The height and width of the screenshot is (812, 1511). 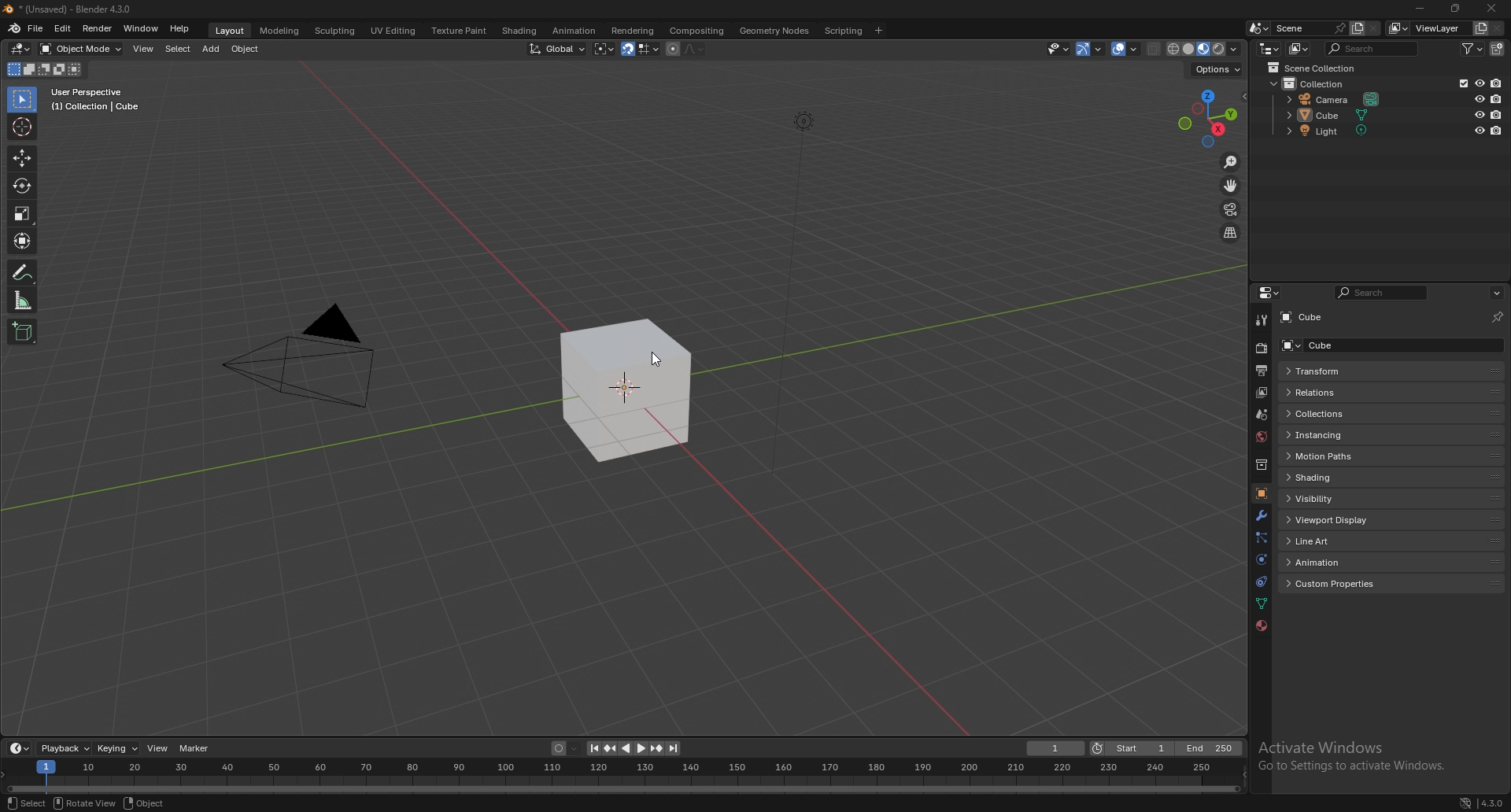 I want to click on line art, so click(x=1395, y=540).